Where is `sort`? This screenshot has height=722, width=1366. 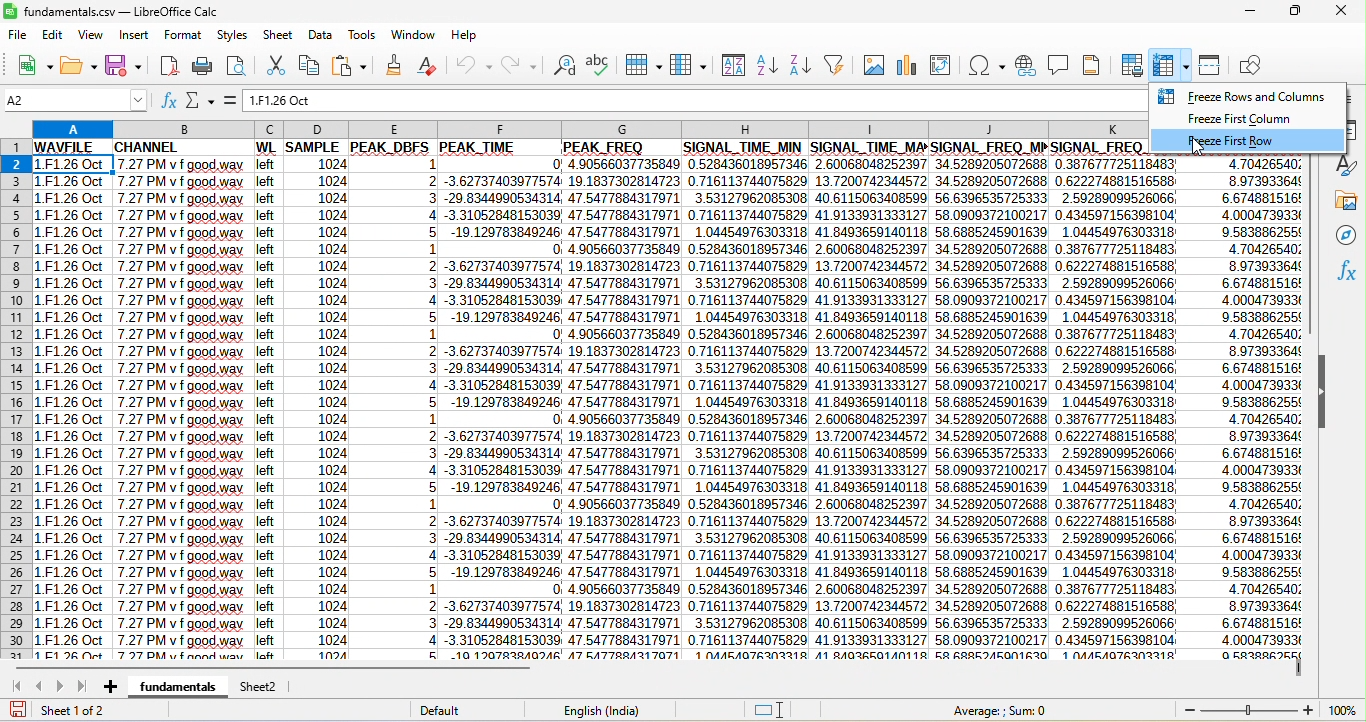
sort is located at coordinates (730, 66).